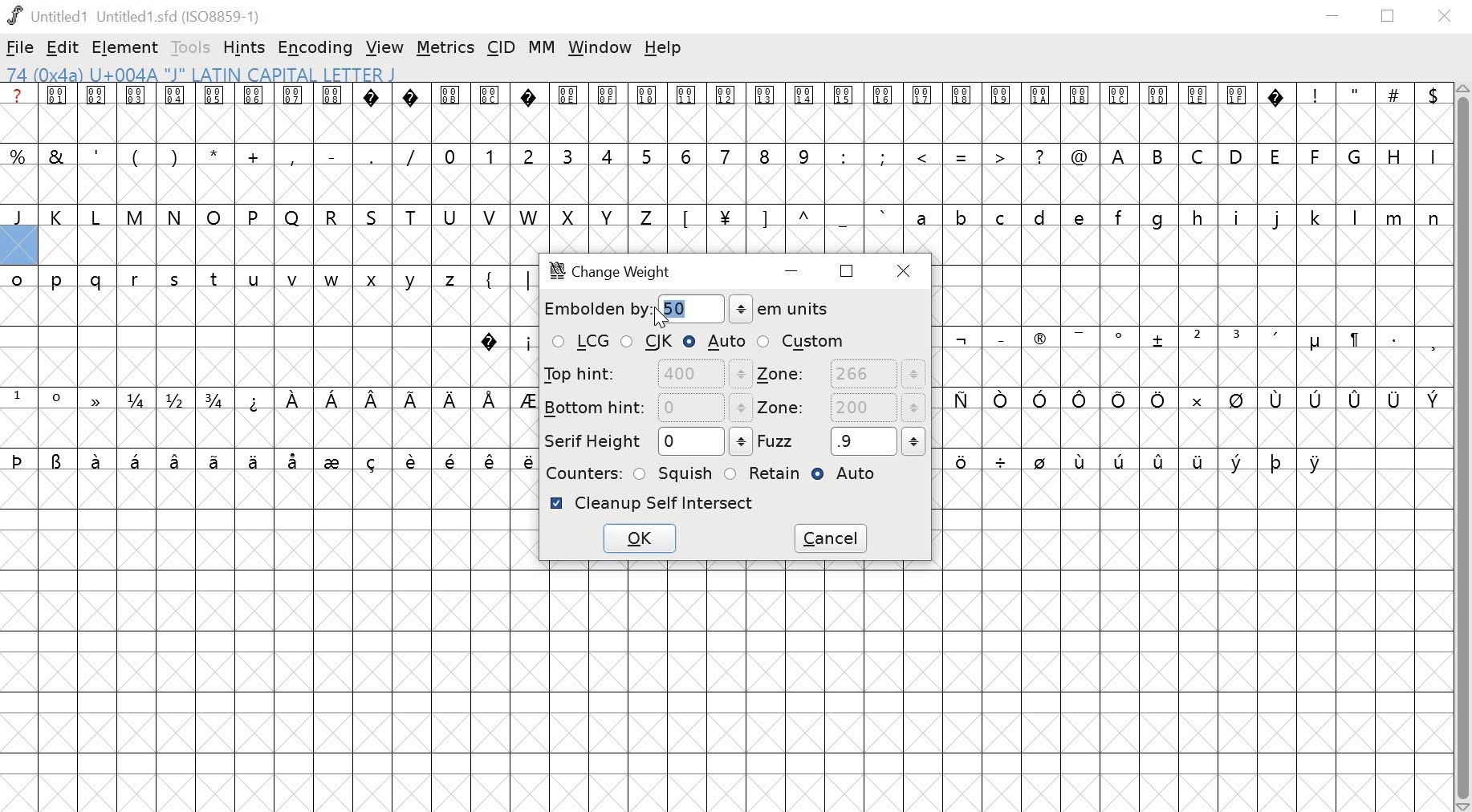 This screenshot has height=812, width=1472. Describe the element at coordinates (38, 397) in the screenshot. I see `superscript numbers` at that location.